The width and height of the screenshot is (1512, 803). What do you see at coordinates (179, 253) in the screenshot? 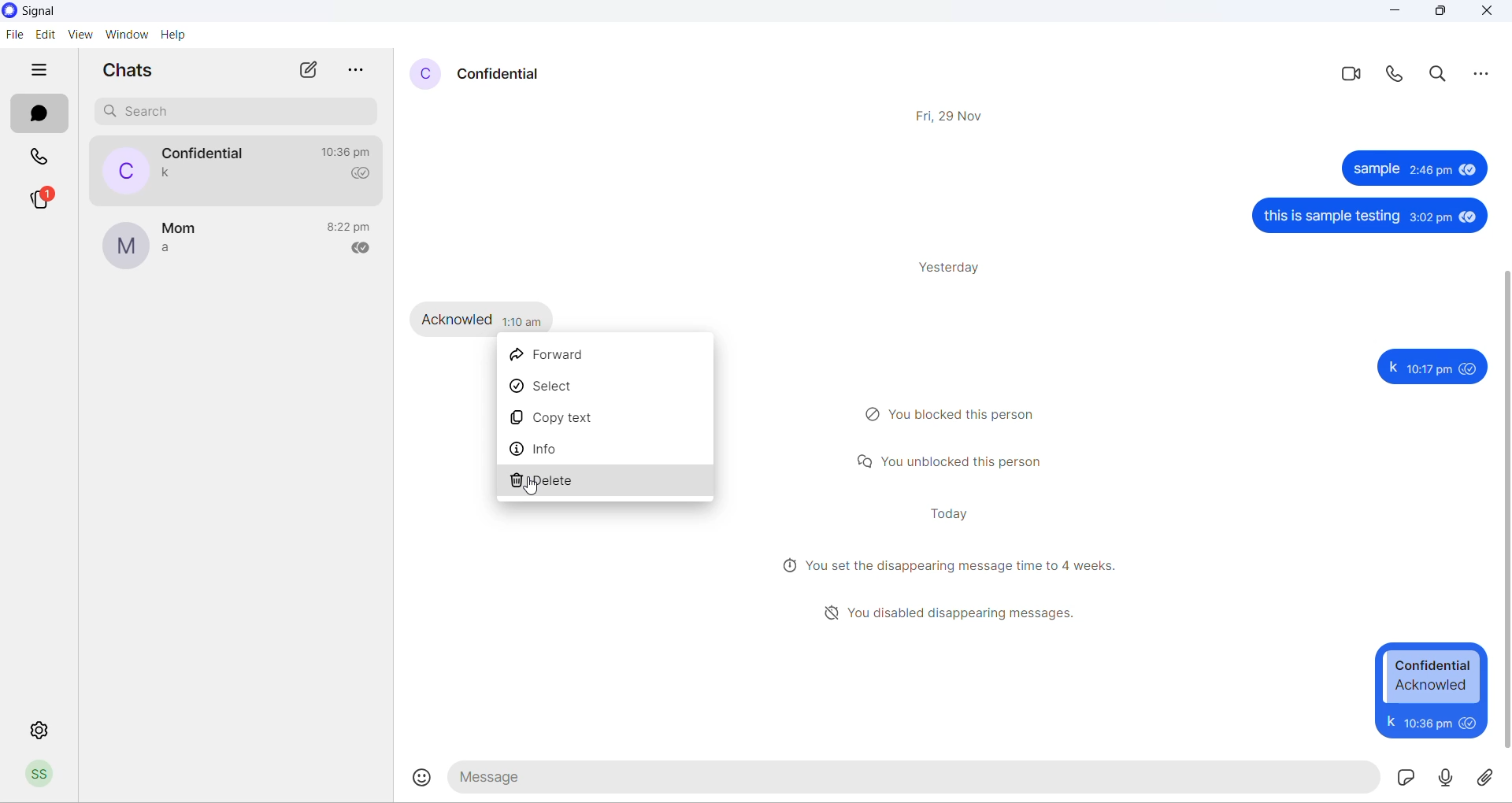
I see `last message` at bounding box center [179, 253].